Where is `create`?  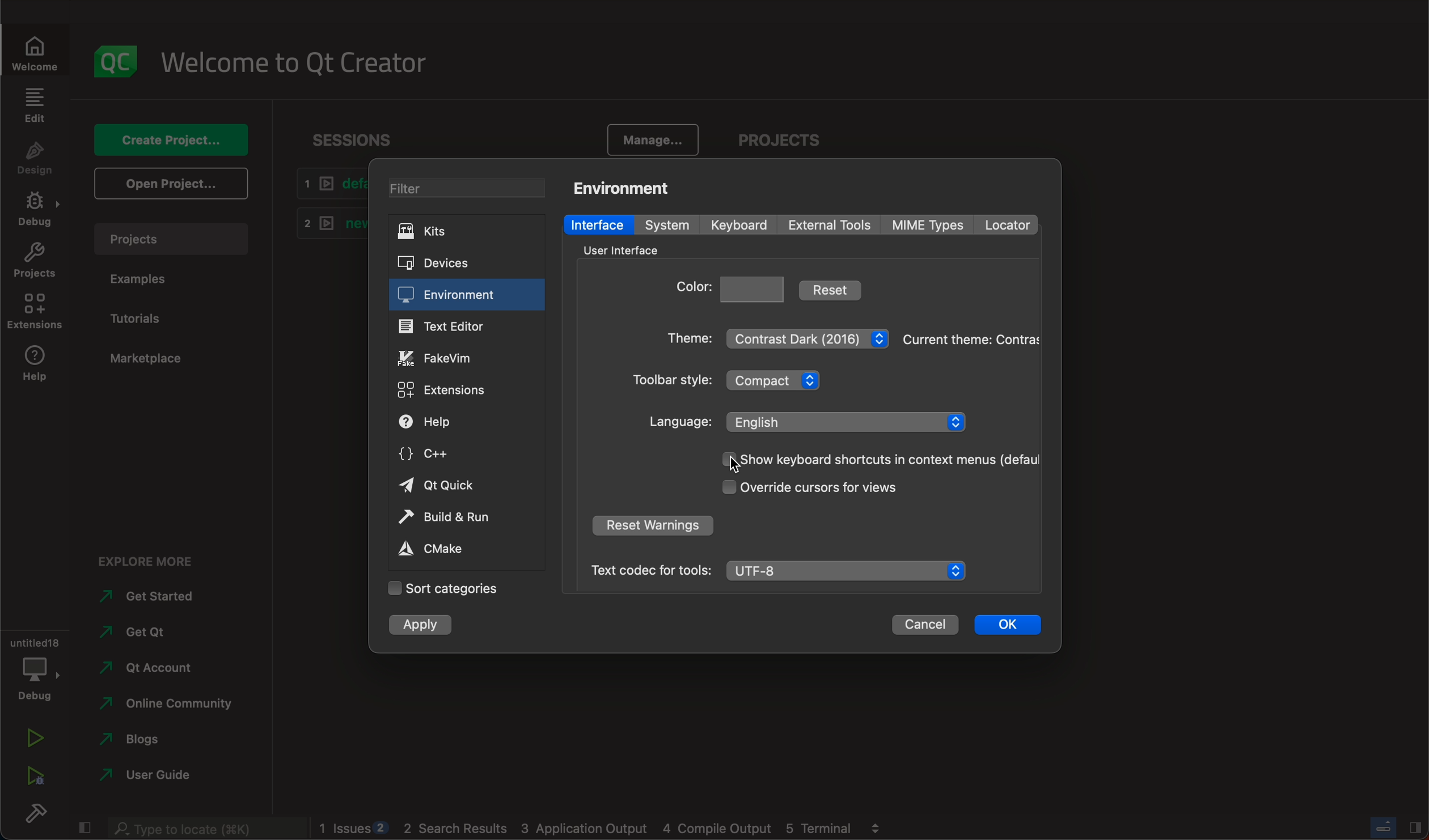
create is located at coordinates (175, 142).